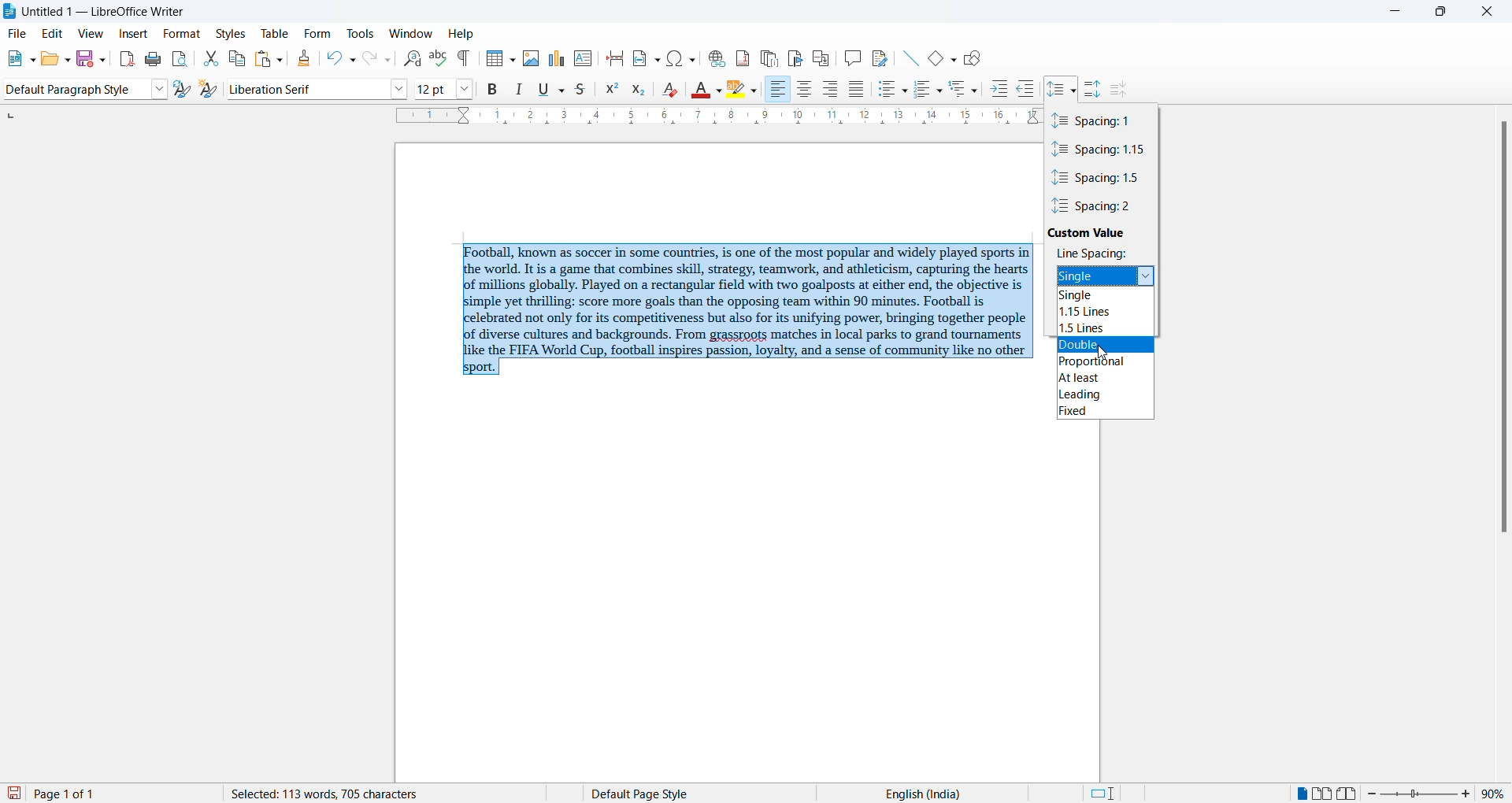 The image size is (1512, 803). Describe the element at coordinates (275, 32) in the screenshot. I see `table` at that location.